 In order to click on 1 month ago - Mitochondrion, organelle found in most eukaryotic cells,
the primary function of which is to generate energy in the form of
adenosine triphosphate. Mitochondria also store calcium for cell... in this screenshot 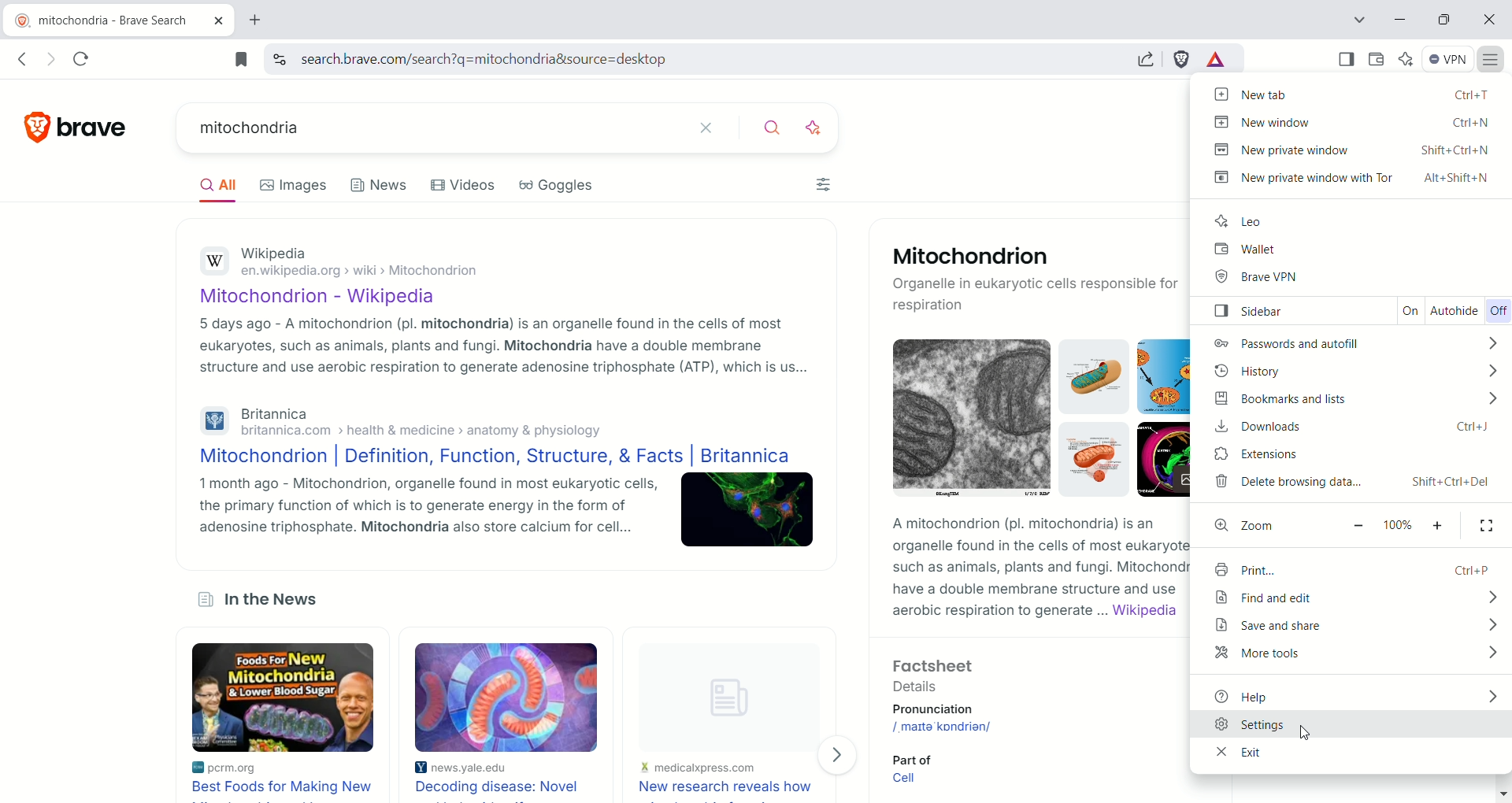, I will do `click(407, 516)`.